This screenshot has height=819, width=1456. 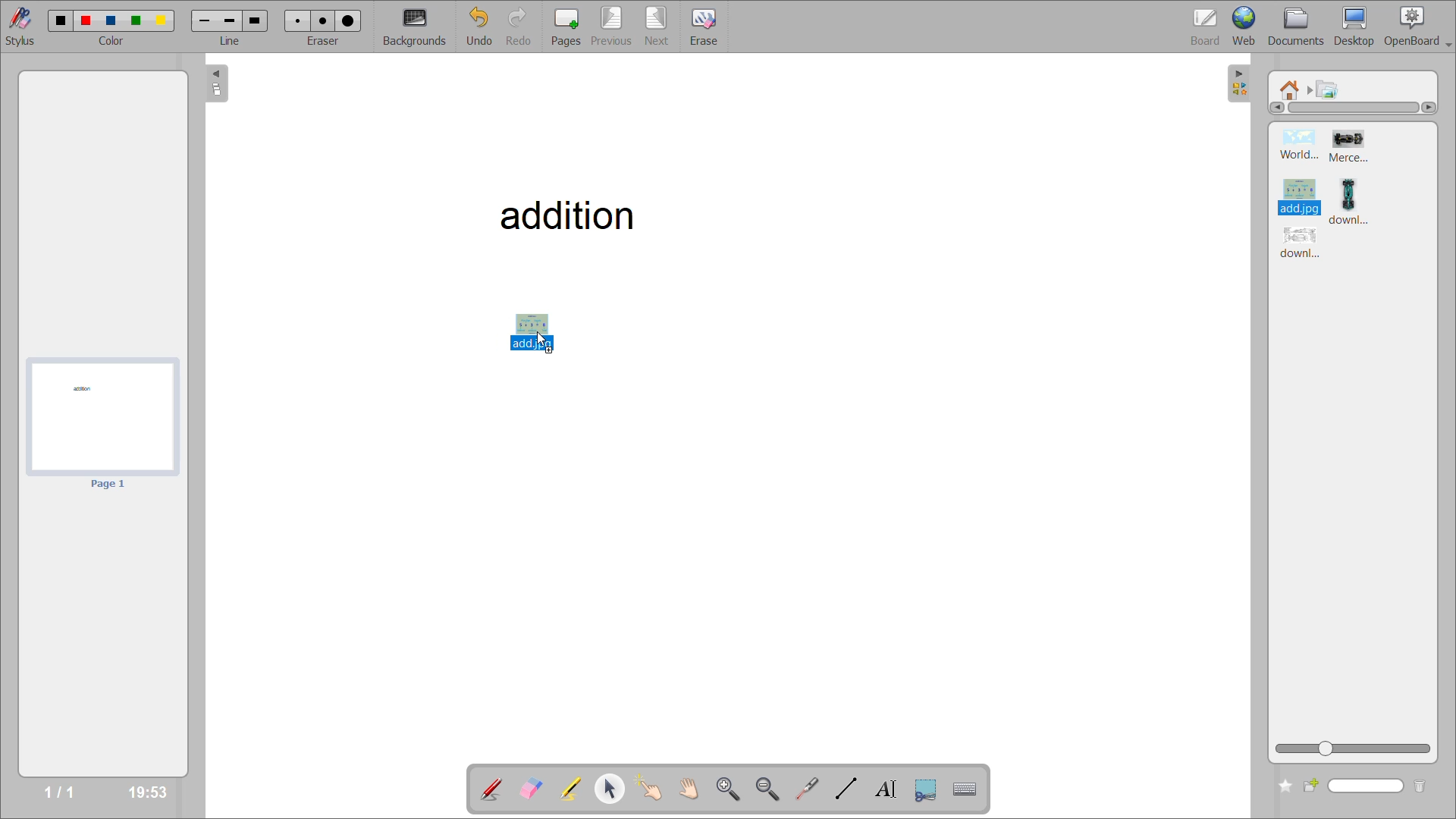 What do you see at coordinates (1247, 24) in the screenshot?
I see `web` at bounding box center [1247, 24].